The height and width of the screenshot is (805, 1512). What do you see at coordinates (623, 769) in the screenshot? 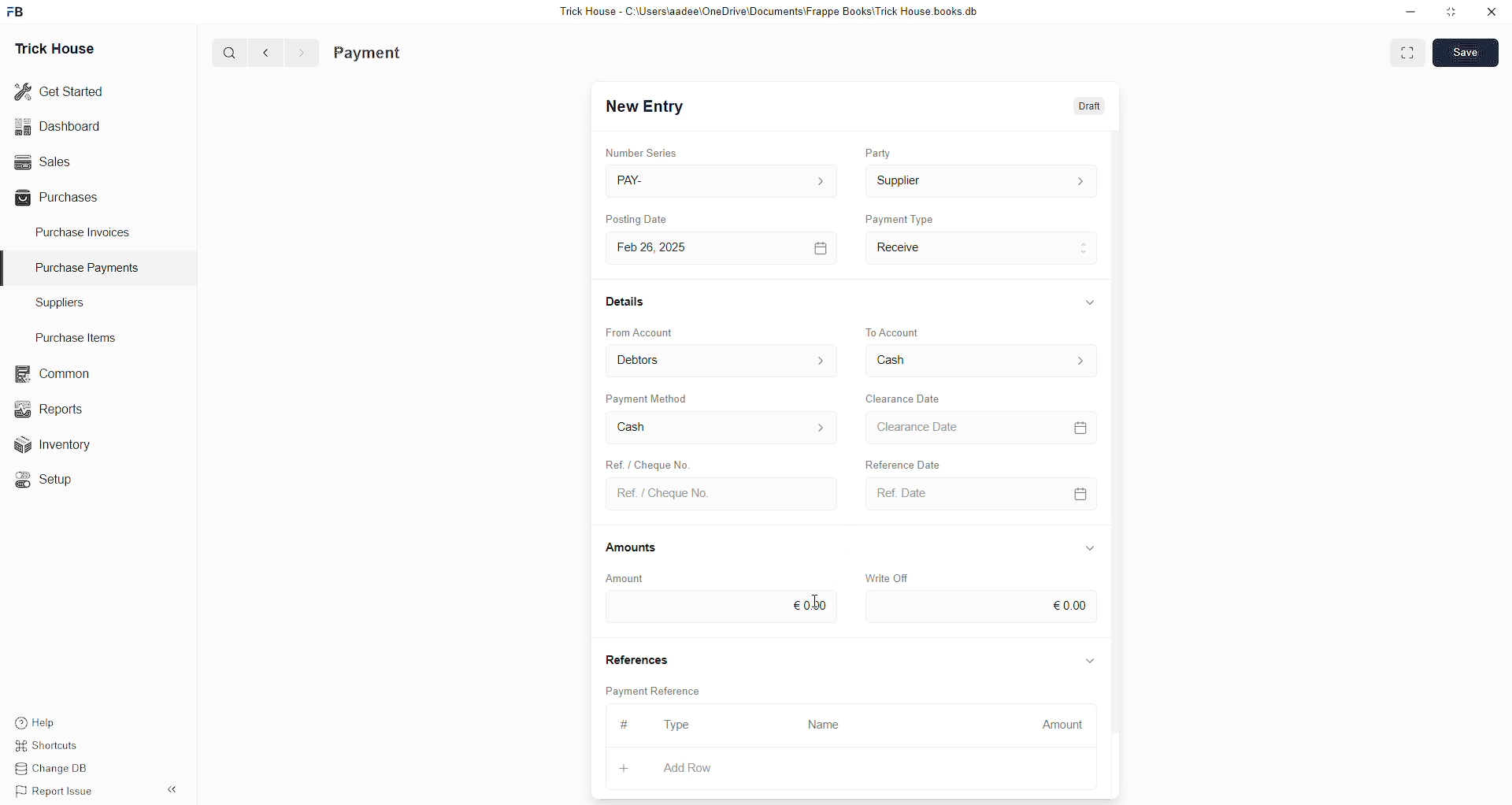
I see `+` at bounding box center [623, 769].